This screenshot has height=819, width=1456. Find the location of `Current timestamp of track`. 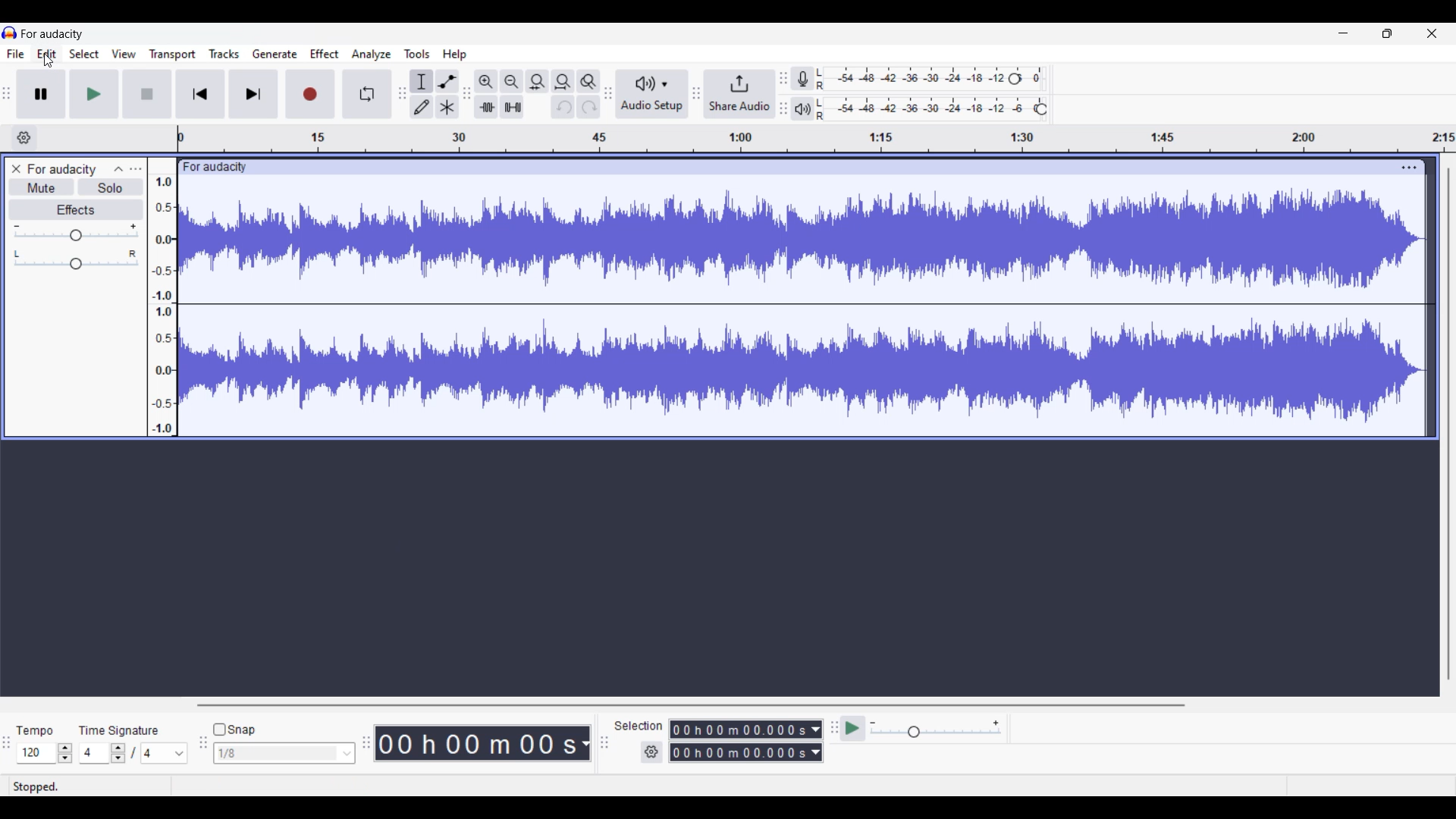

Current timestamp of track is located at coordinates (483, 743).